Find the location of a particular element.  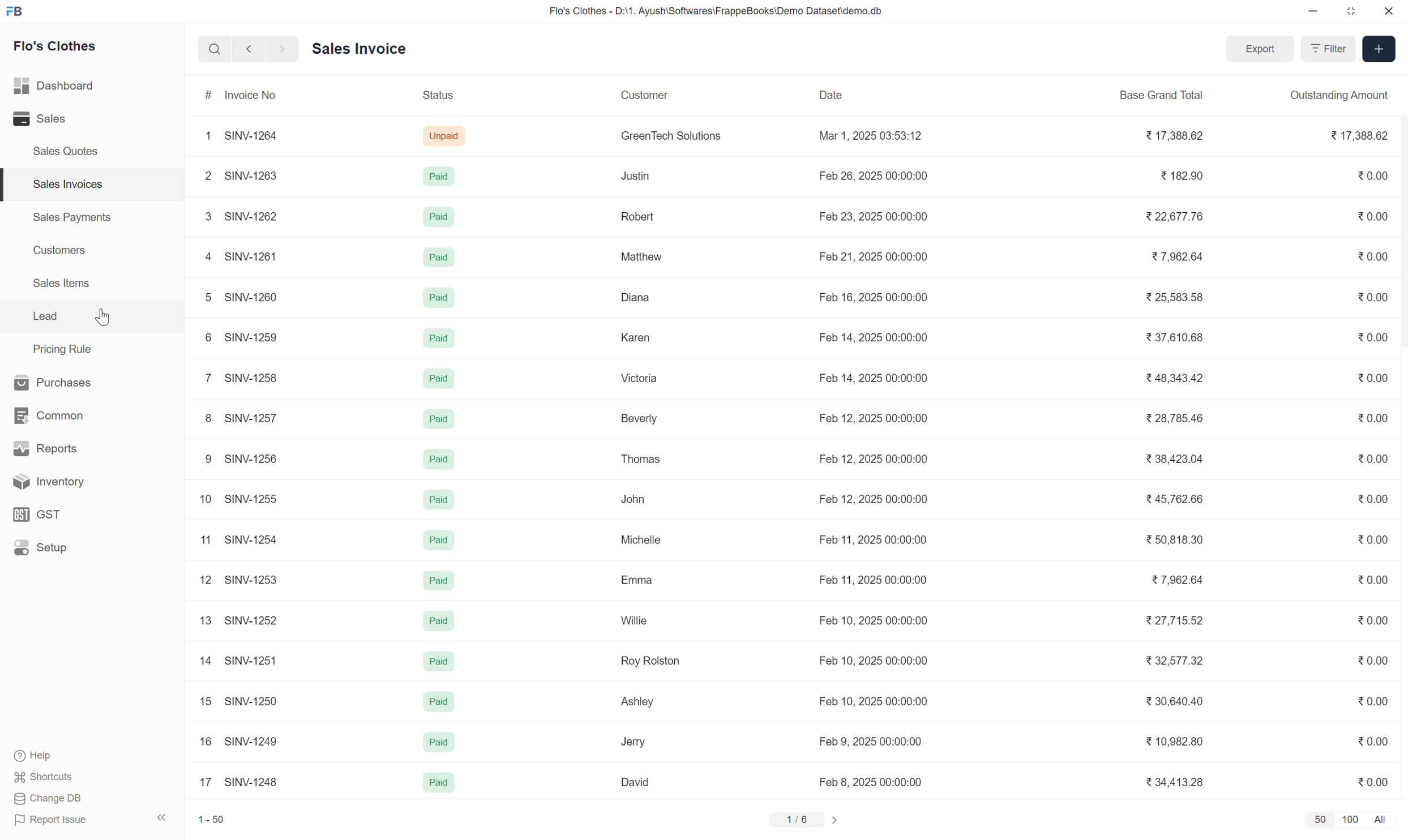

SINV-1263 is located at coordinates (256, 176).